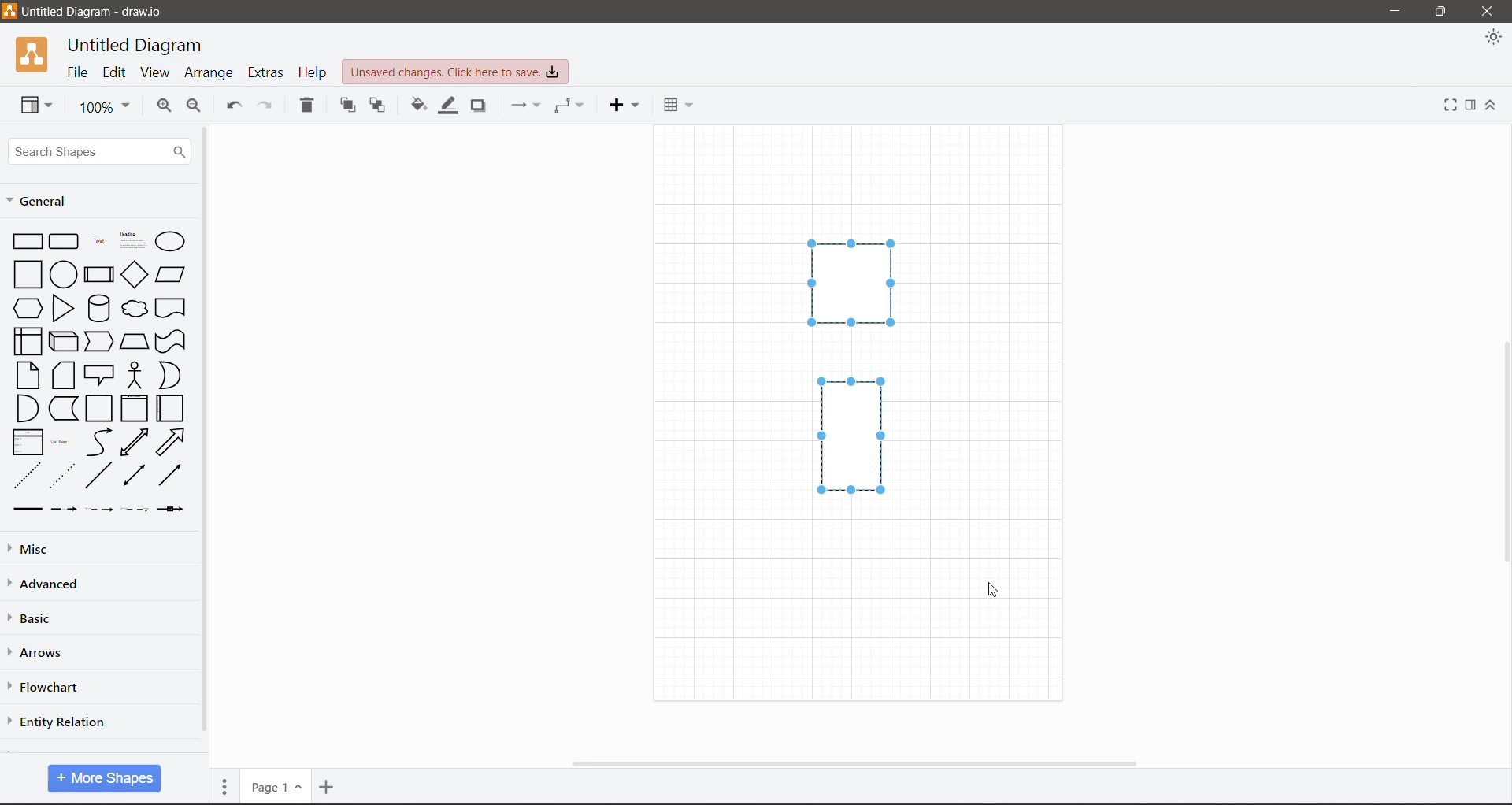 The image size is (1512, 805). Describe the element at coordinates (312, 71) in the screenshot. I see `Help` at that location.